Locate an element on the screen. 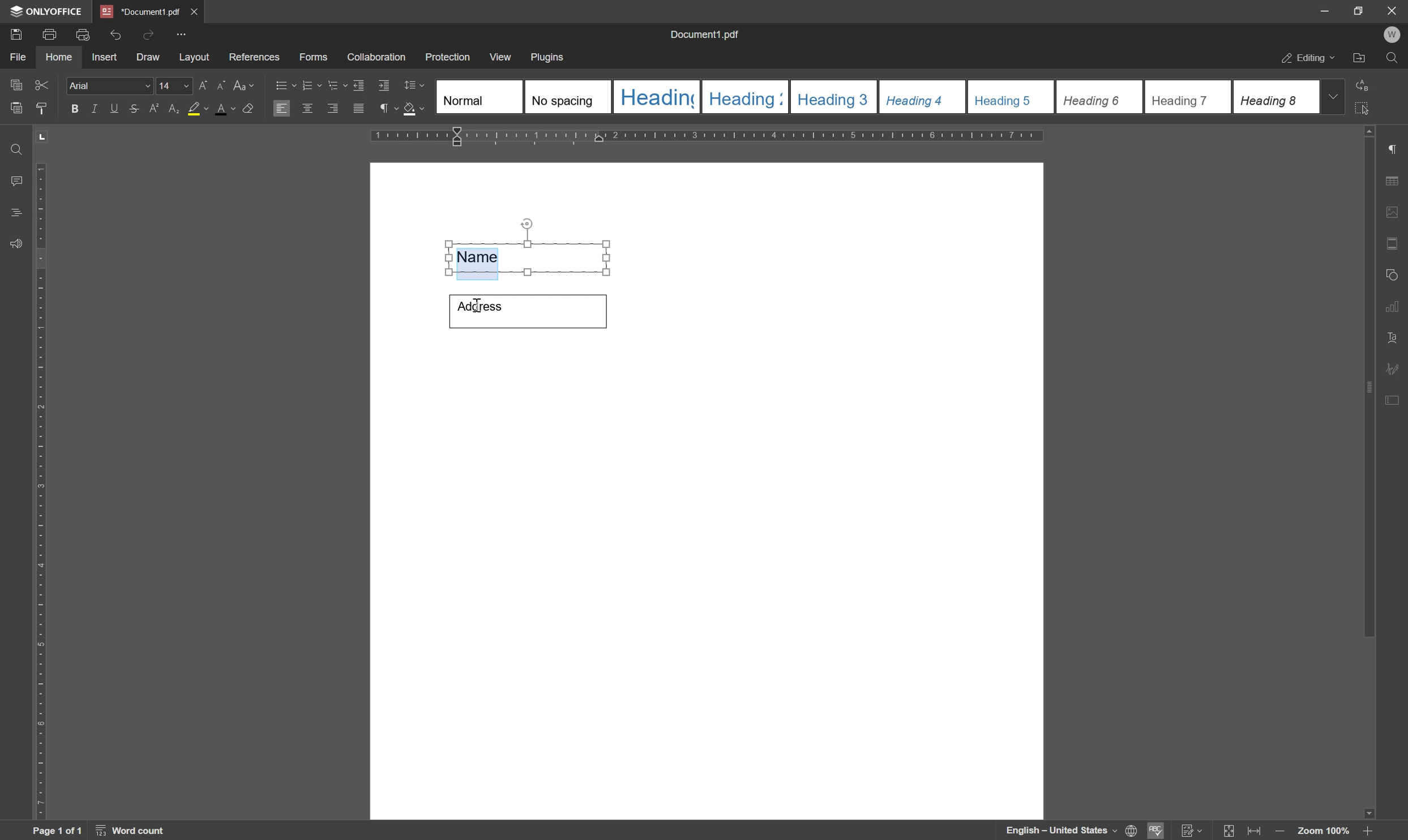 The image size is (1408, 840). strikethrough is located at coordinates (133, 110).